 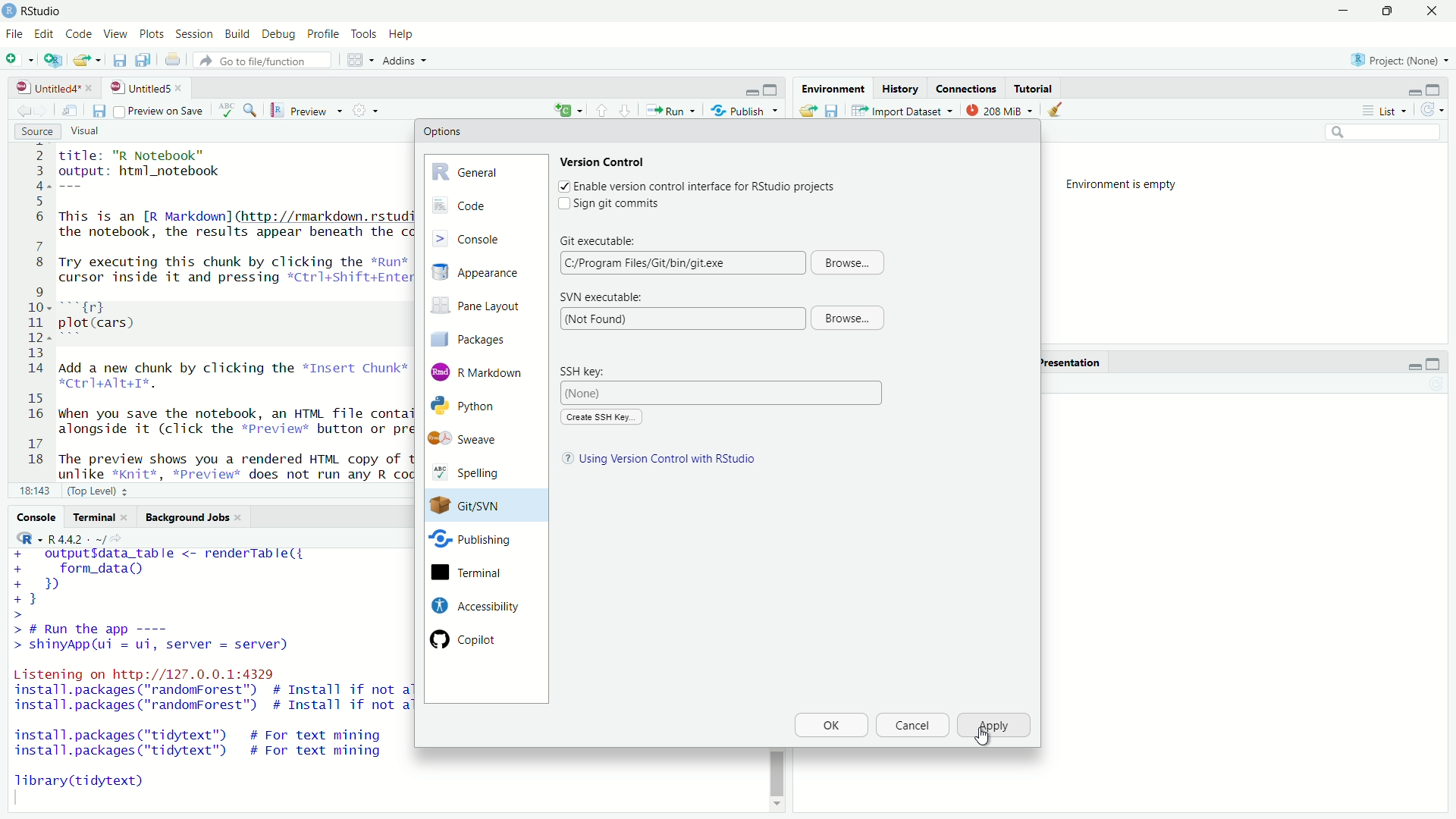 What do you see at coordinates (36, 516) in the screenshot?
I see `Console` at bounding box center [36, 516].